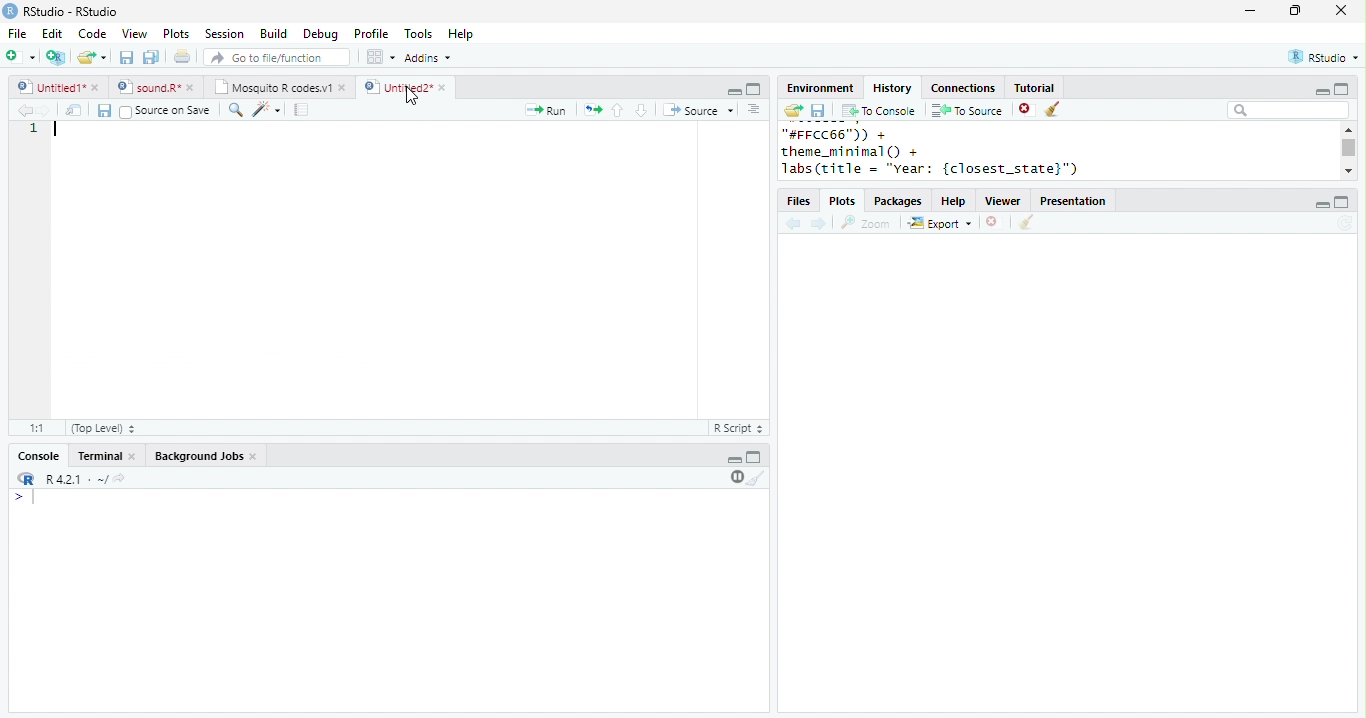 This screenshot has height=718, width=1366. What do you see at coordinates (36, 427) in the screenshot?
I see `1:1` at bounding box center [36, 427].